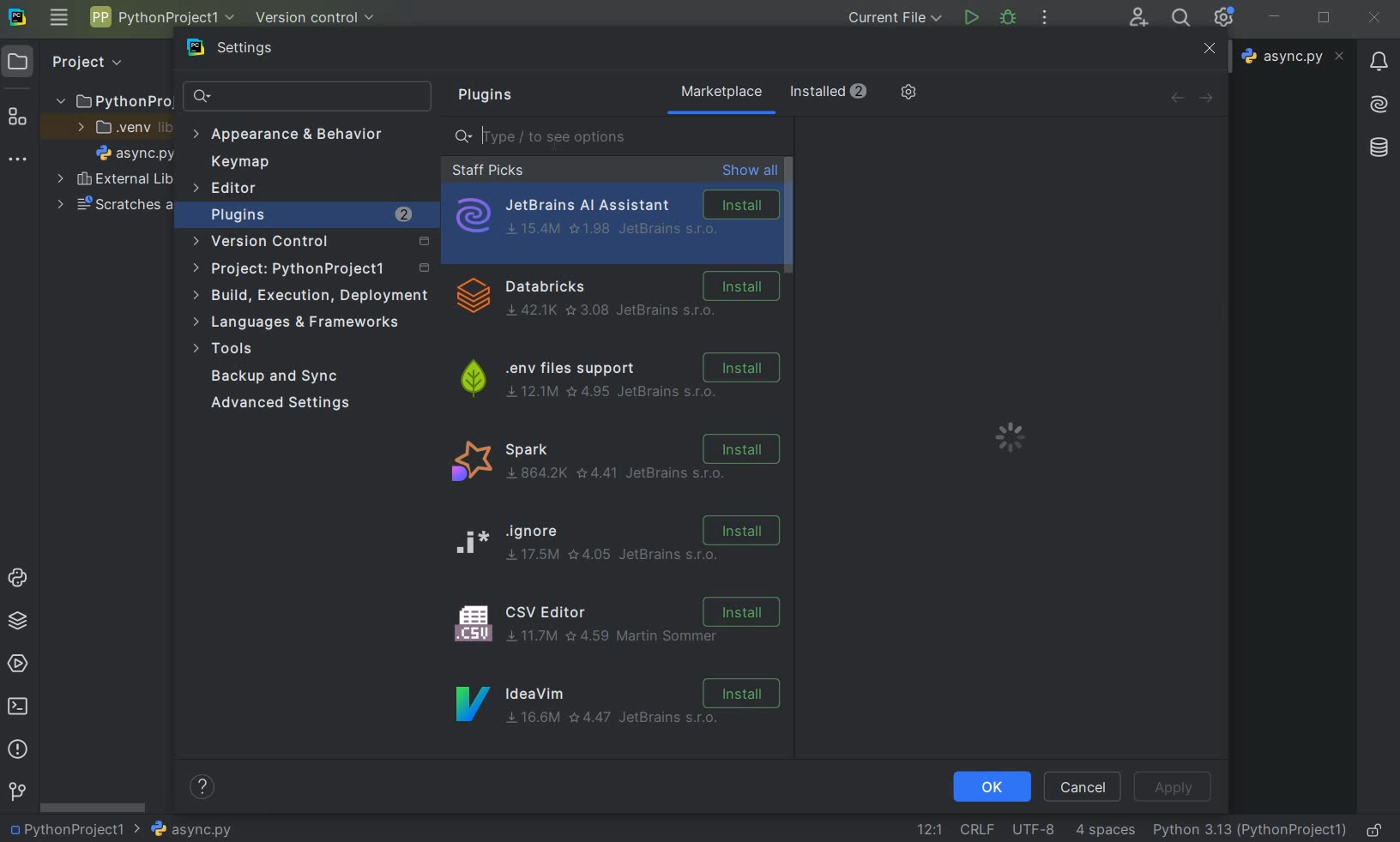 This screenshot has width=1400, height=842. What do you see at coordinates (986, 787) in the screenshot?
I see `ok` at bounding box center [986, 787].